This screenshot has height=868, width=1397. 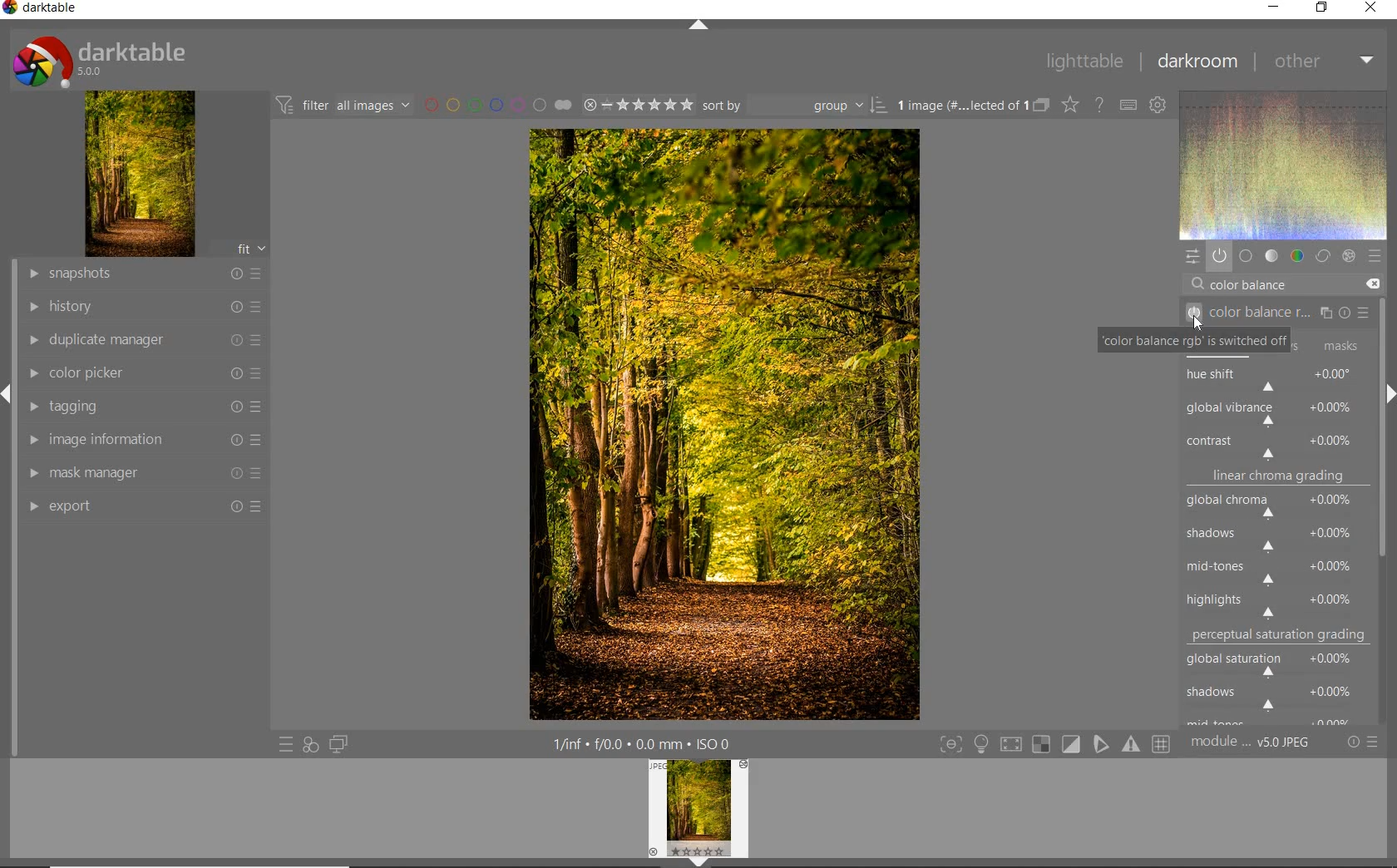 I want to click on base, so click(x=1246, y=256).